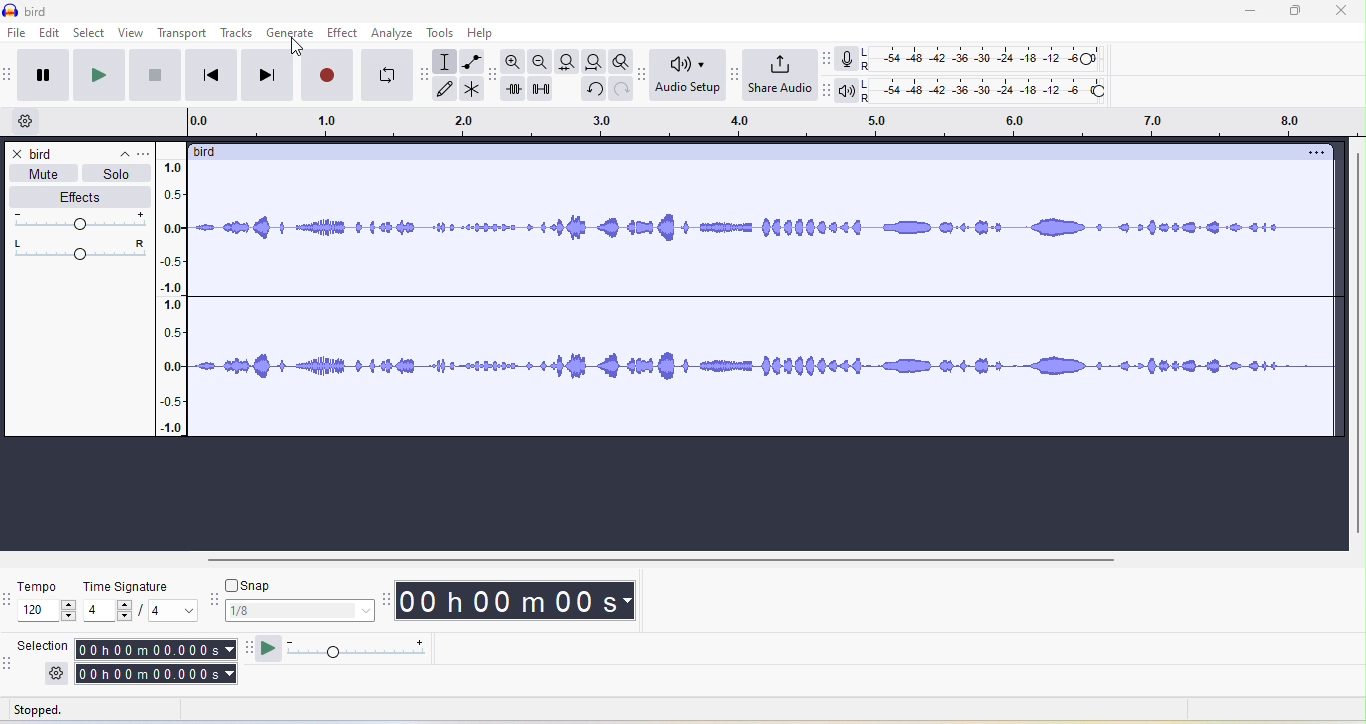  What do you see at coordinates (829, 58) in the screenshot?
I see `audacity record meter toolbar` at bounding box center [829, 58].